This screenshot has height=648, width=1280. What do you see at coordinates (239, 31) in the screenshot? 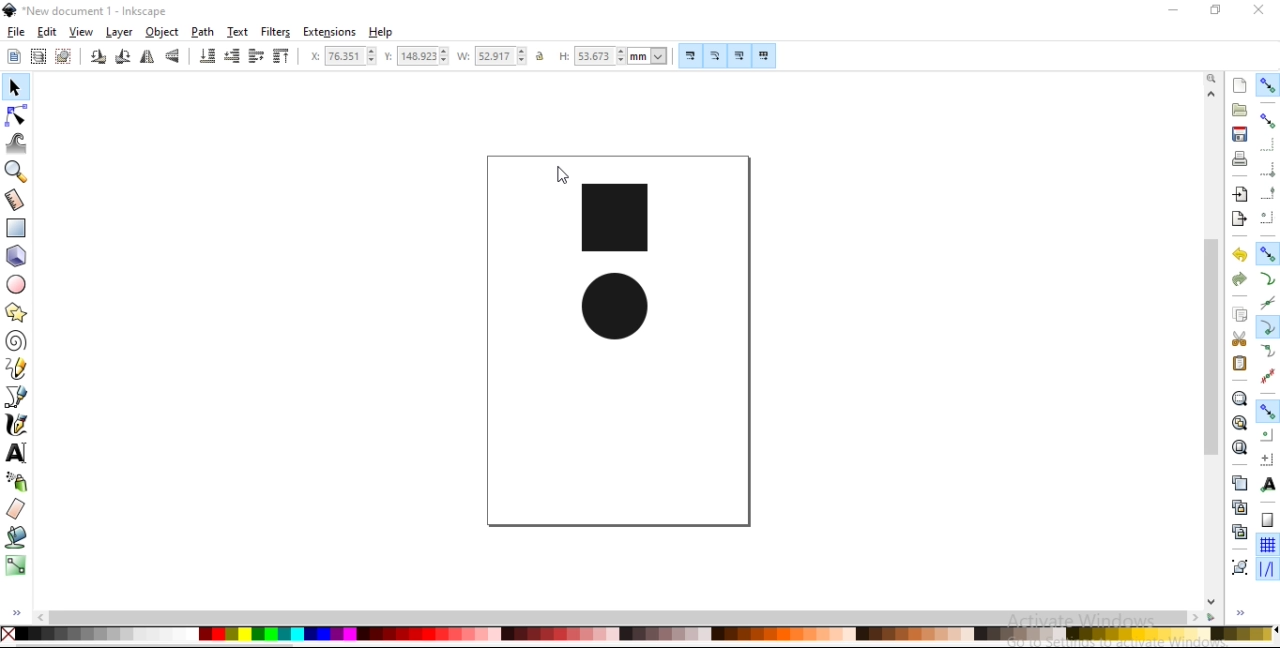
I see `text` at bounding box center [239, 31].